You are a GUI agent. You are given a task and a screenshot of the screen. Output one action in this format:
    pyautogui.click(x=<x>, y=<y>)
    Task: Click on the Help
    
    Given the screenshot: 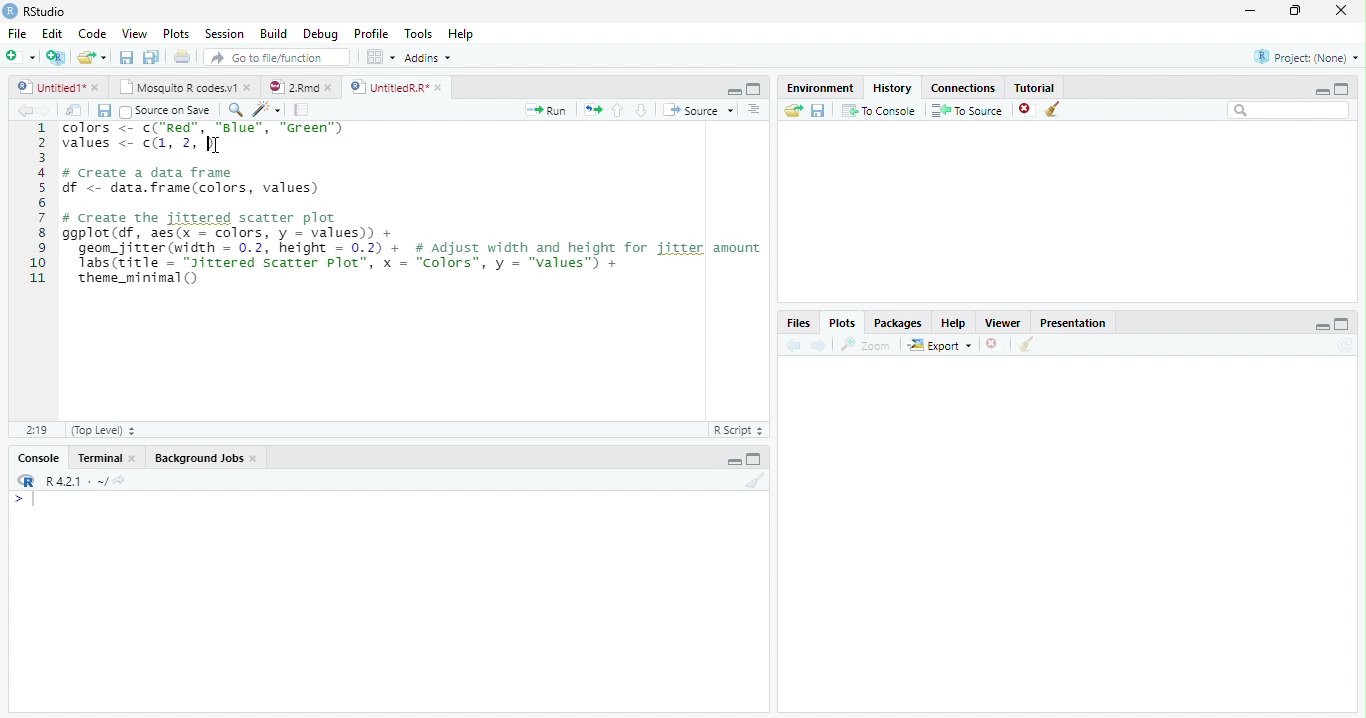 What is the action you would take?
    pyautogui.click(x=461, y=33)
    